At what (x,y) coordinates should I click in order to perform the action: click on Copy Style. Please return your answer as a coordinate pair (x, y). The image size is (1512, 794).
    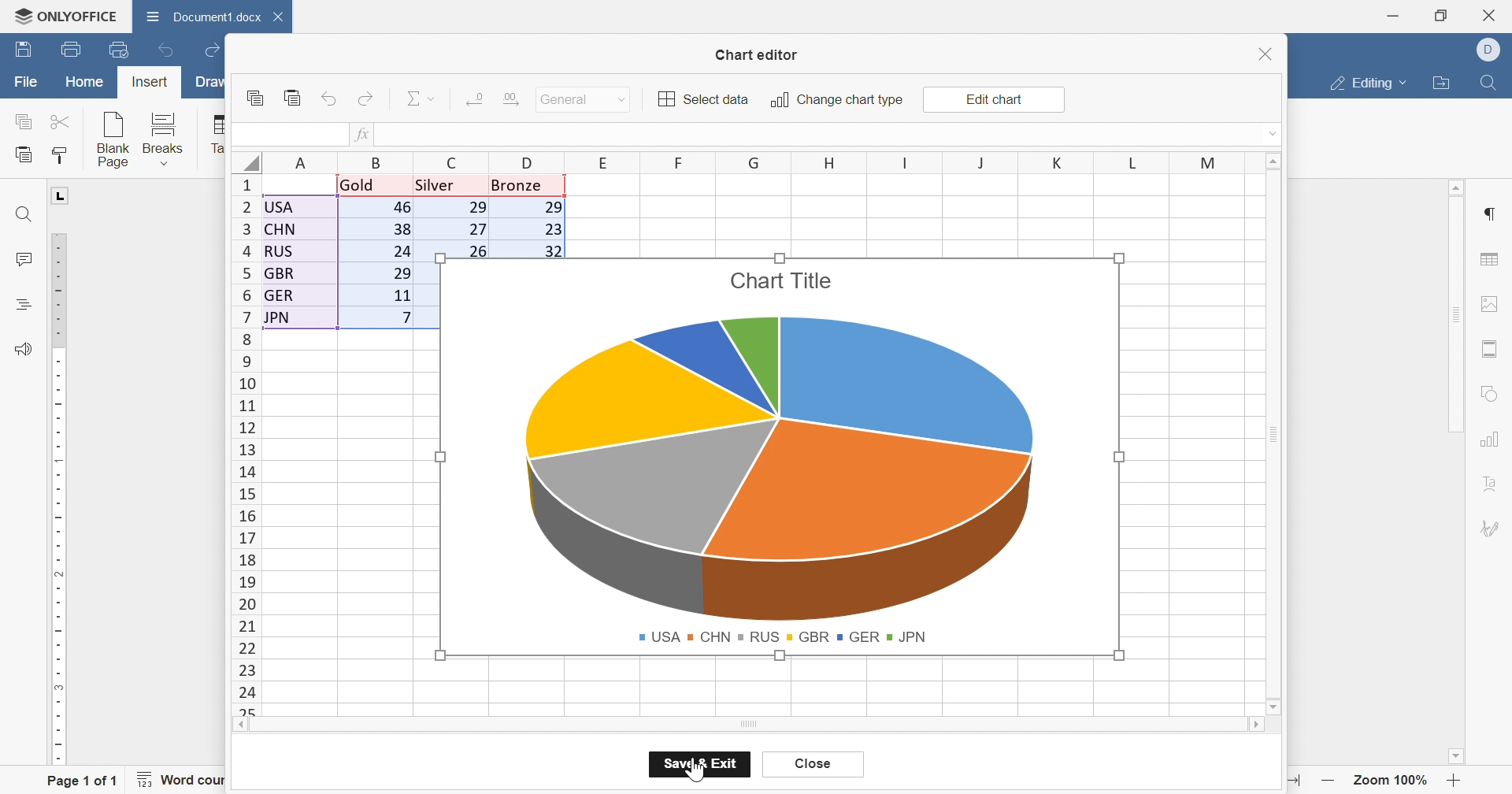
    Looking at the image, I should click on (61, 159).